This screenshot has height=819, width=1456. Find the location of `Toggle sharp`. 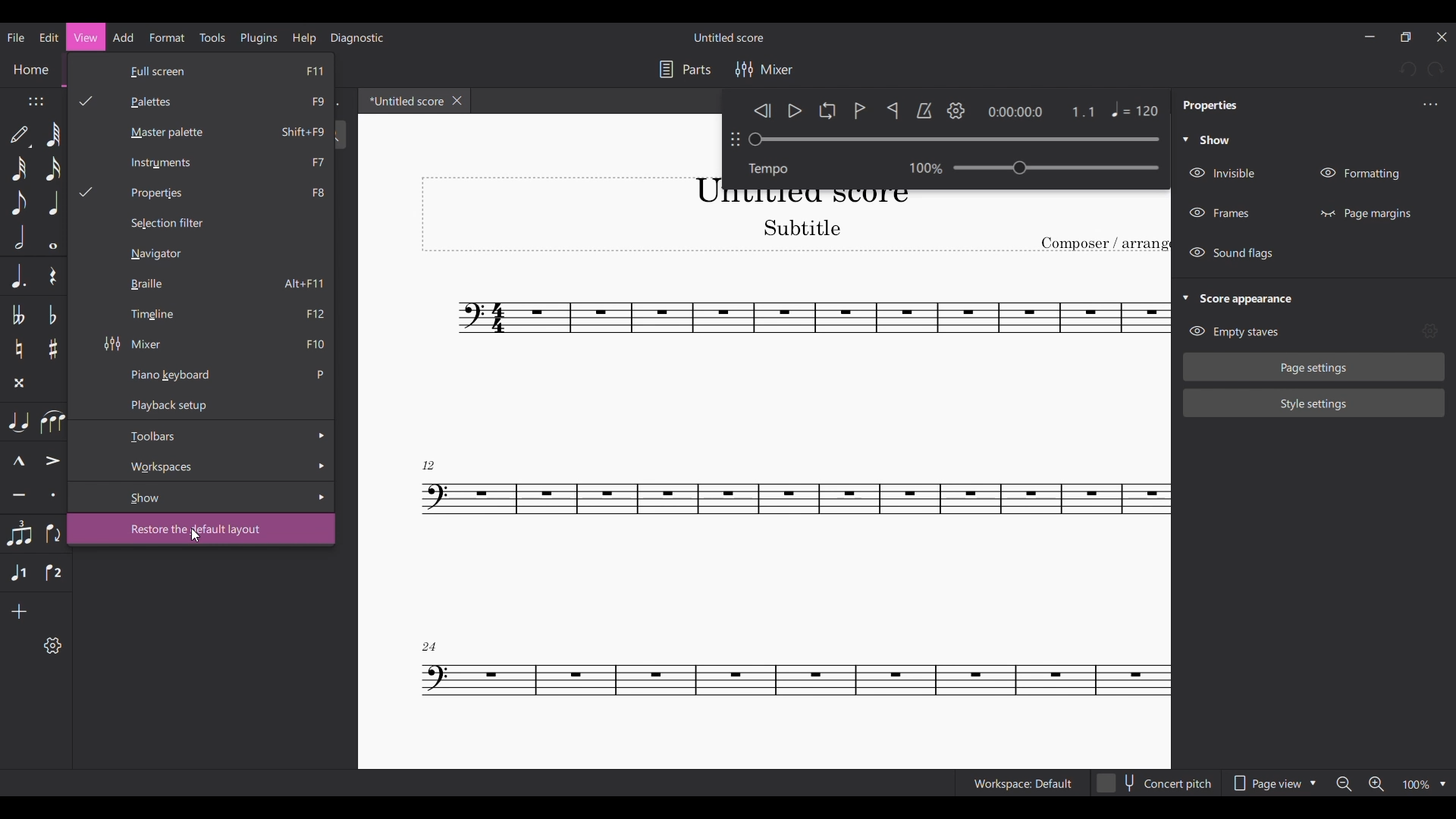

Toggle sharp is located at coordinates (53, 350).